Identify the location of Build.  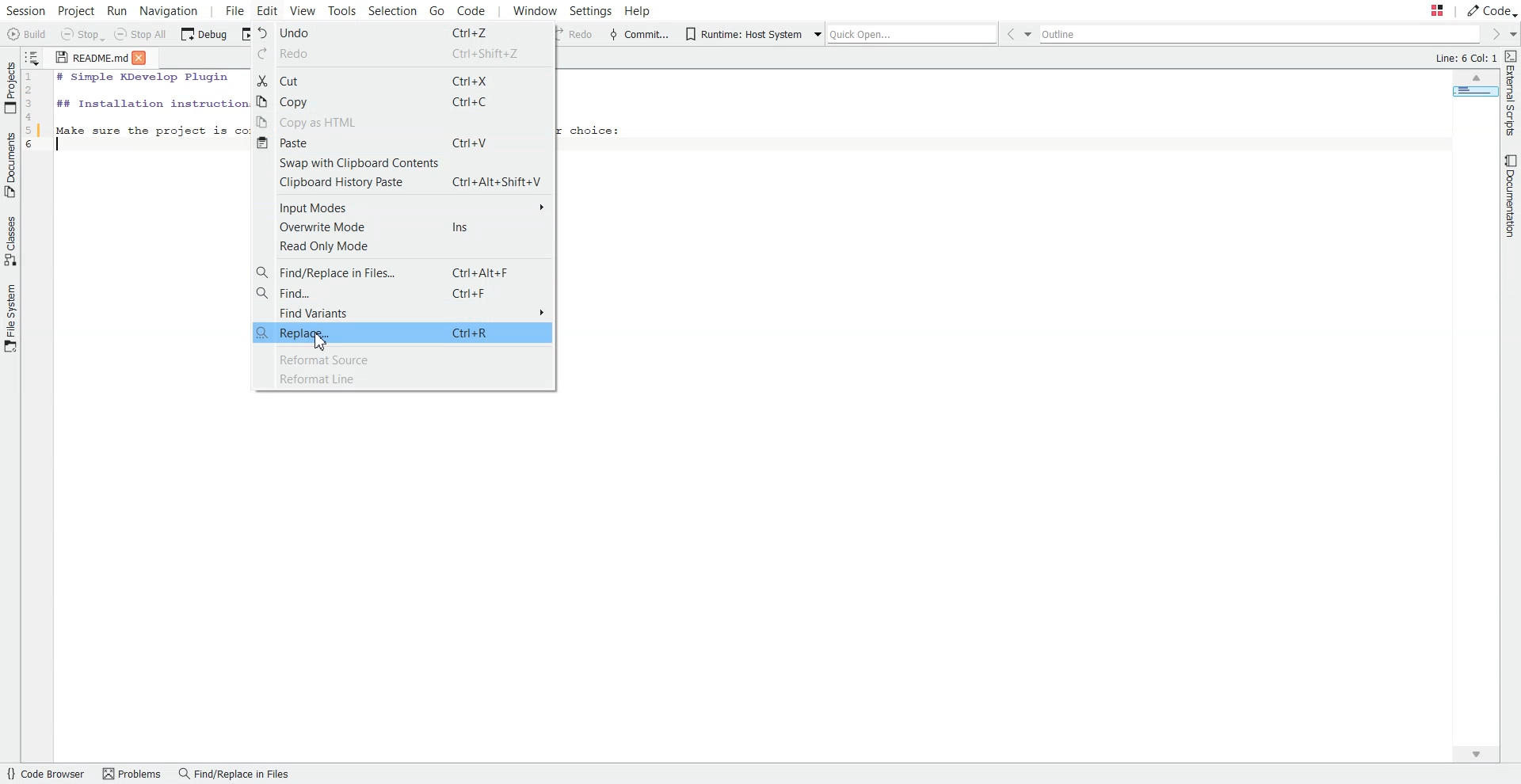
(27, 34).